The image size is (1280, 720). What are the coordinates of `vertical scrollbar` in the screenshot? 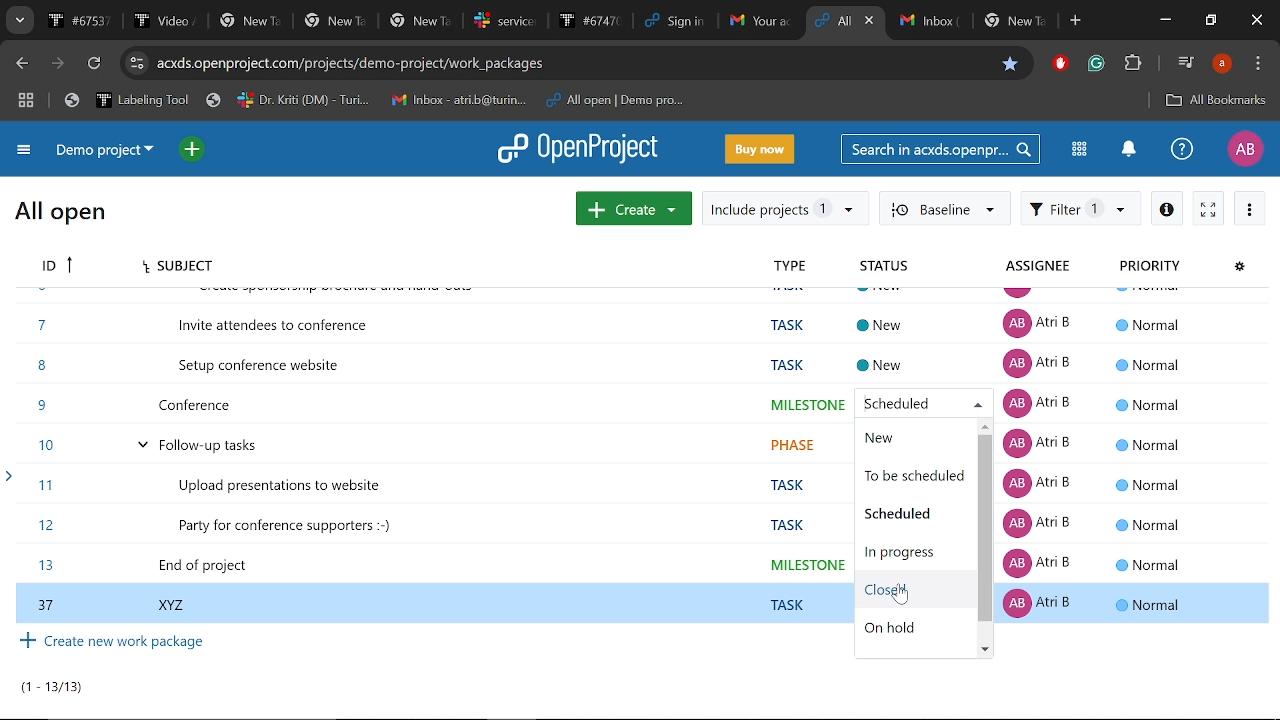 It's located at (1272, 513).